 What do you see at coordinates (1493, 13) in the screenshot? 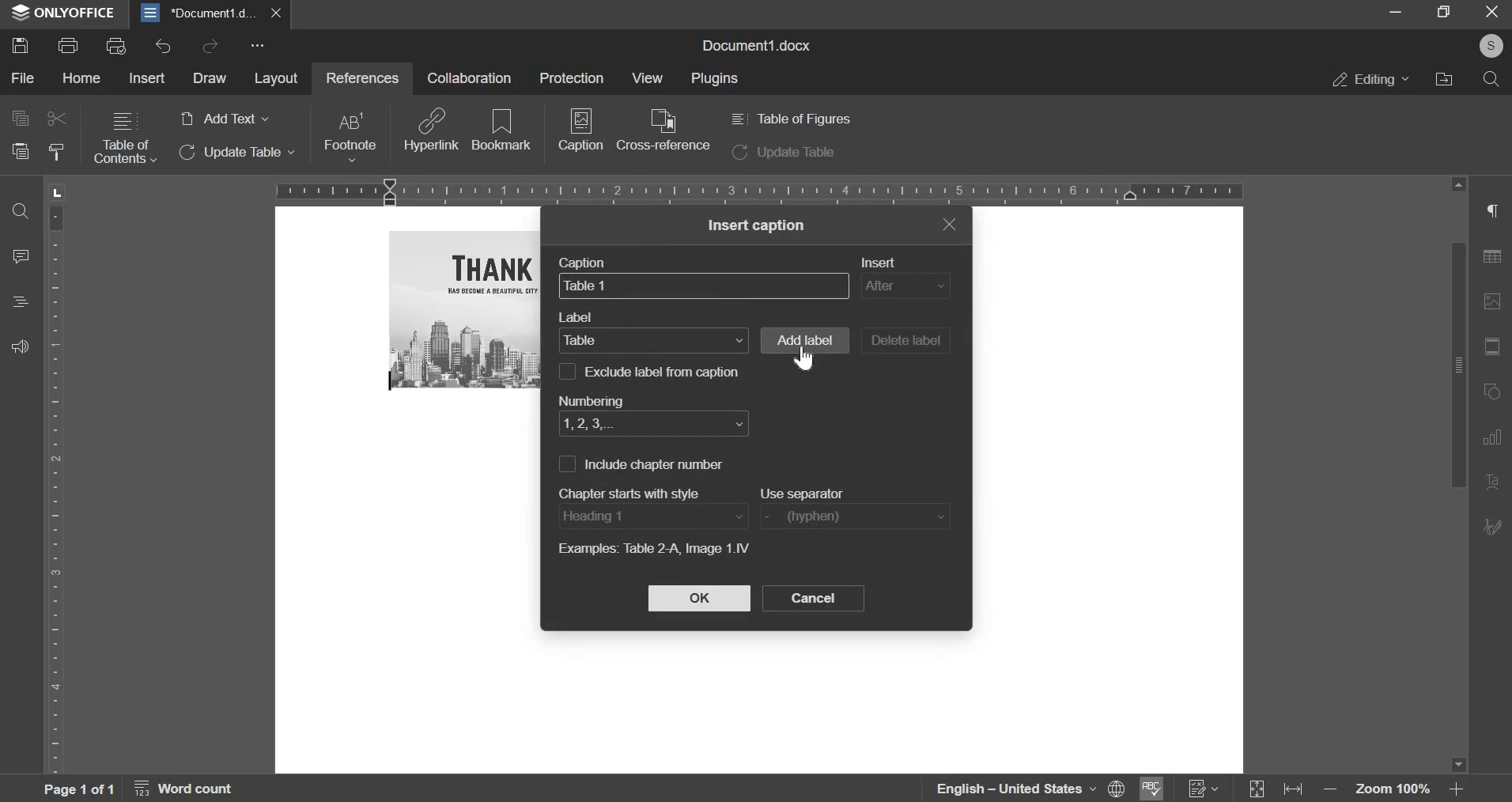
I see `exit` at bounding box center [1493, 13].